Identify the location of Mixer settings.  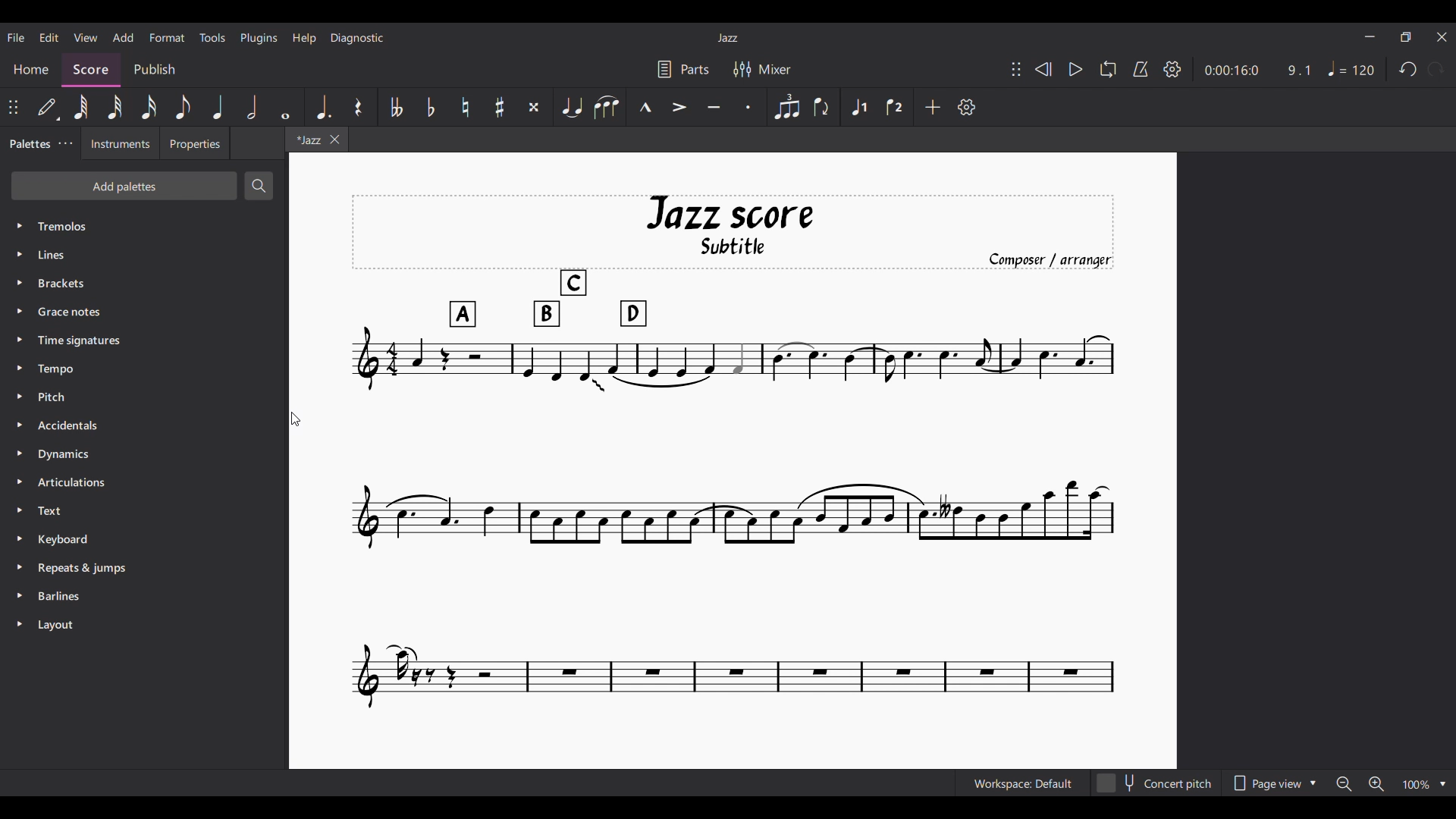
(762, 70).